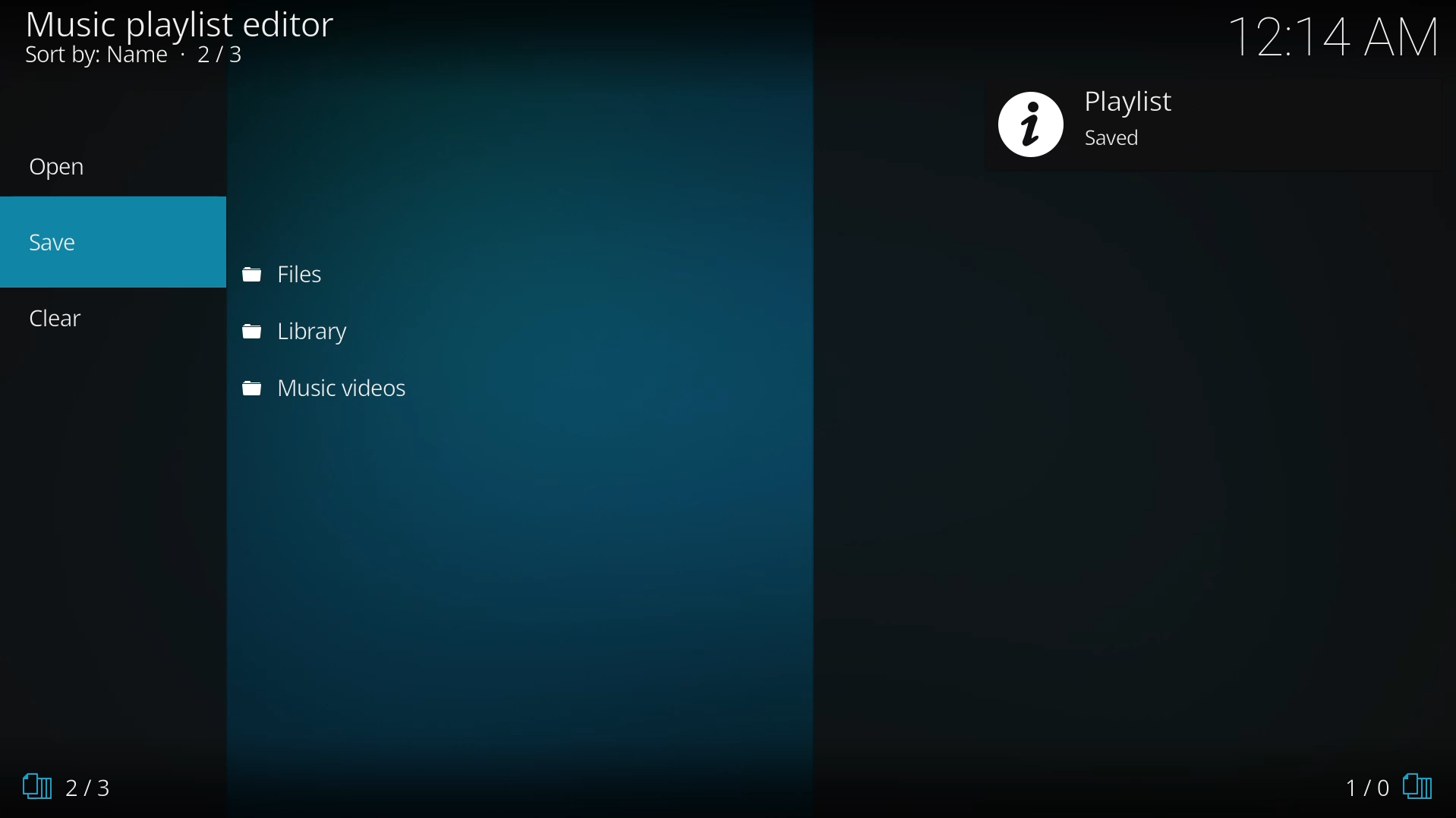  Describe the element at coordinates (178, 24) in the screenshot. I see `editor` at that location.